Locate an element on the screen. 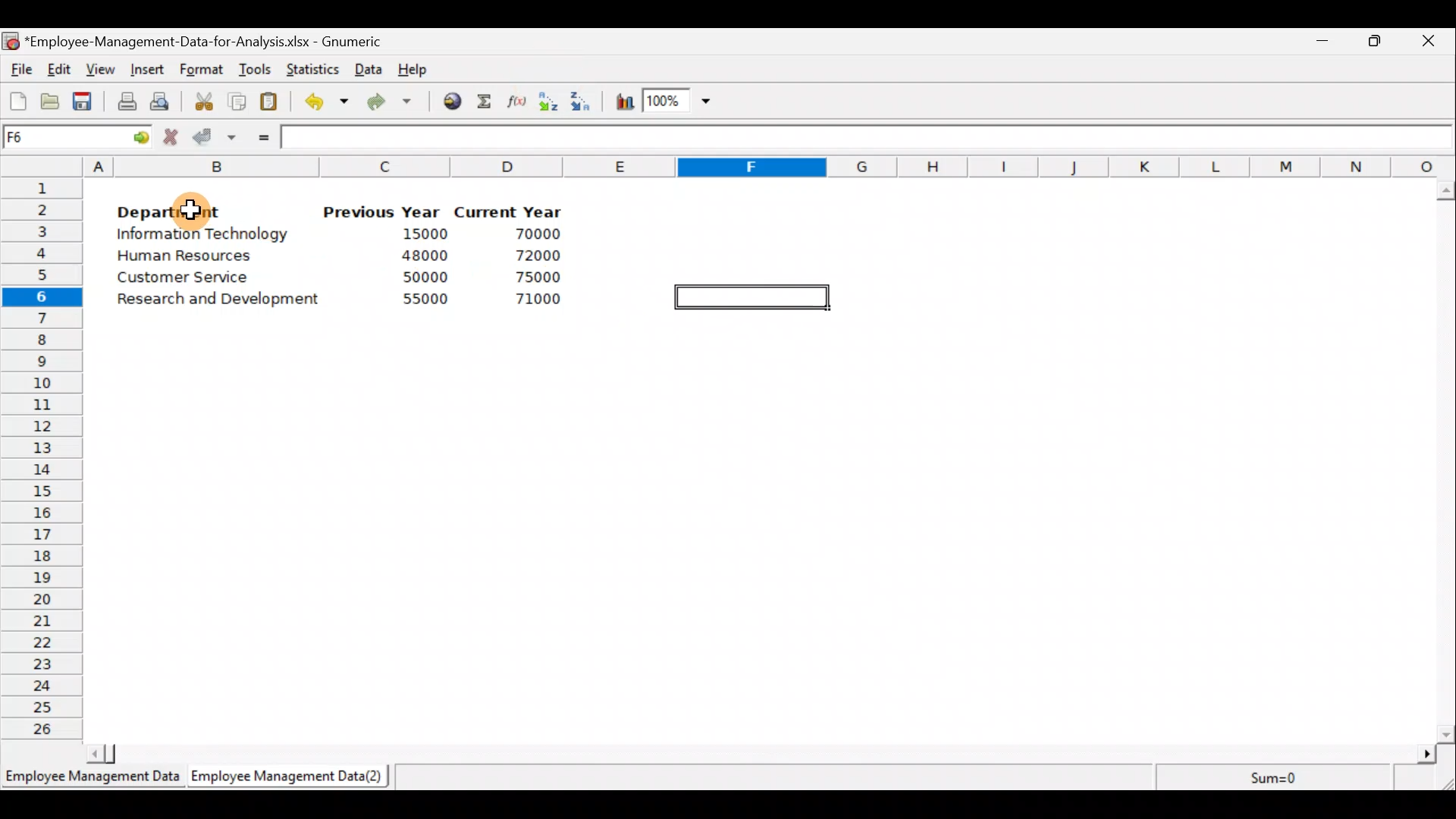 Image resolution: width=1456 pixels, height=819 pixels. Minimize is located at coordinates (1319, 44).